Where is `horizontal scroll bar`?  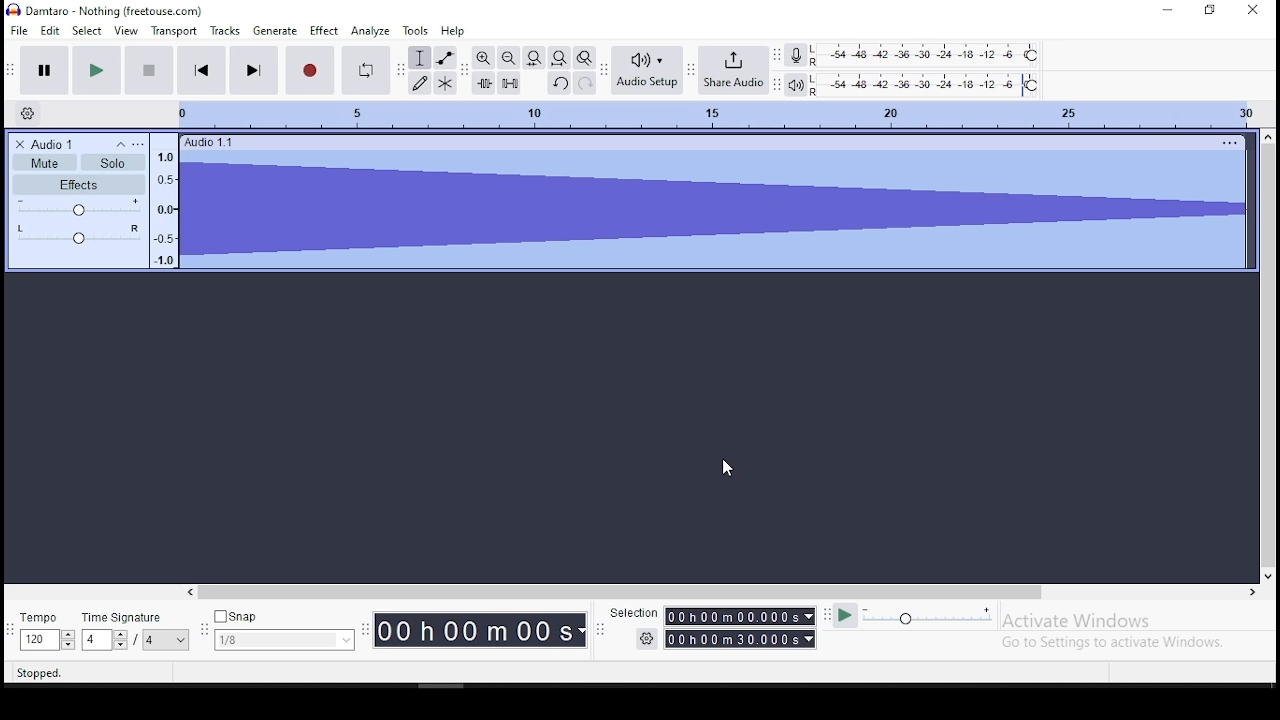 horizontal scroll bar is located at coordinates (484, 588).